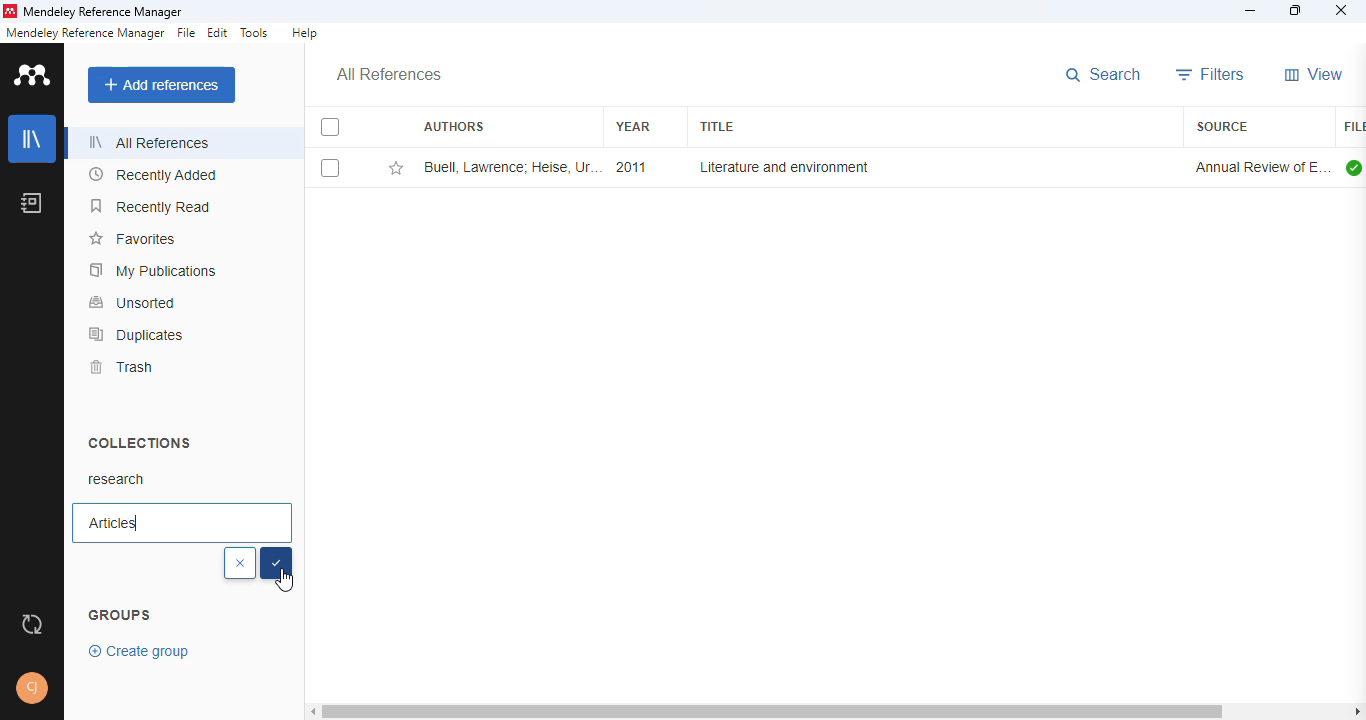 The image size is (1366, 720). I want to click on unsorted, so click(134, 303).